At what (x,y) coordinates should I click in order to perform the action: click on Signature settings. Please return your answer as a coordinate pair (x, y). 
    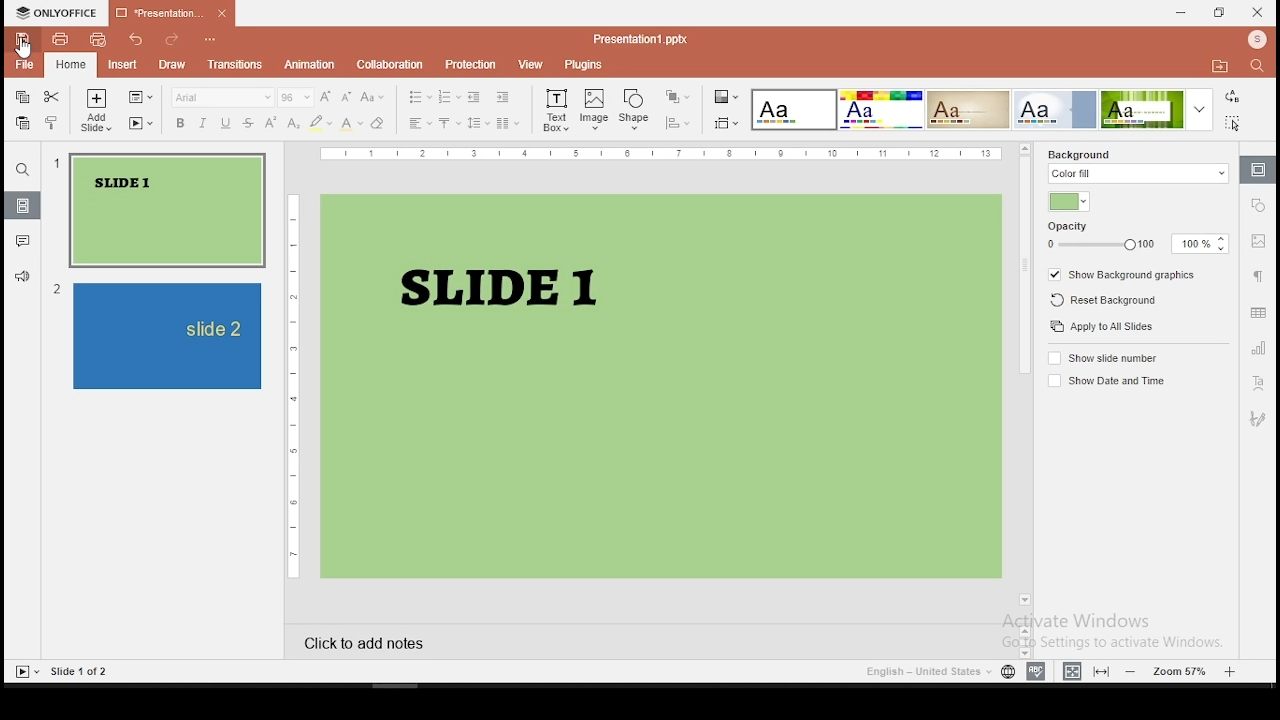
    Looking at the image, I should click on (1258, 420).